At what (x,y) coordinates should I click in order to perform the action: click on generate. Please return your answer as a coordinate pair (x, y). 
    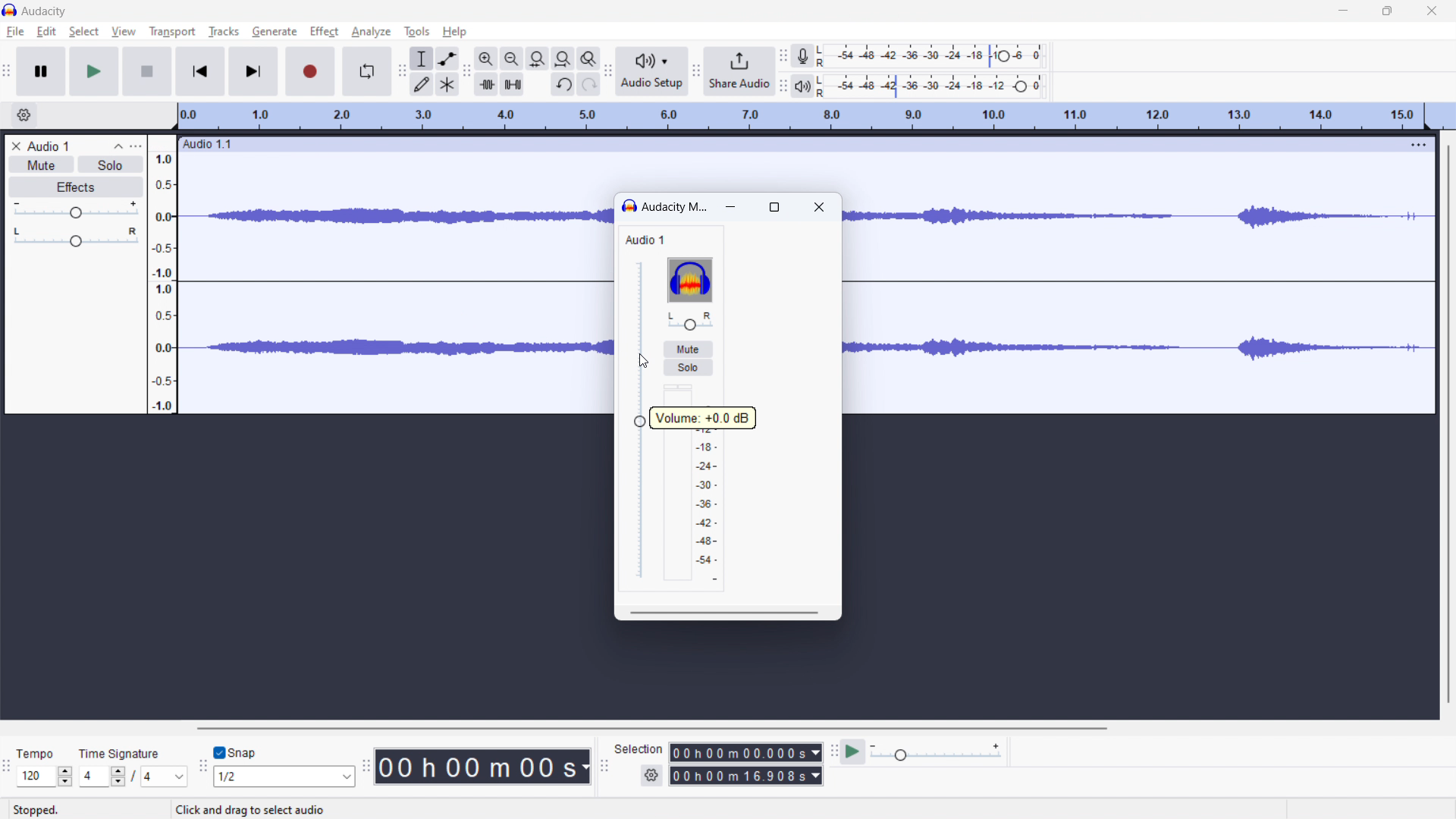
    Looking at the image, I should click on (275, 31).